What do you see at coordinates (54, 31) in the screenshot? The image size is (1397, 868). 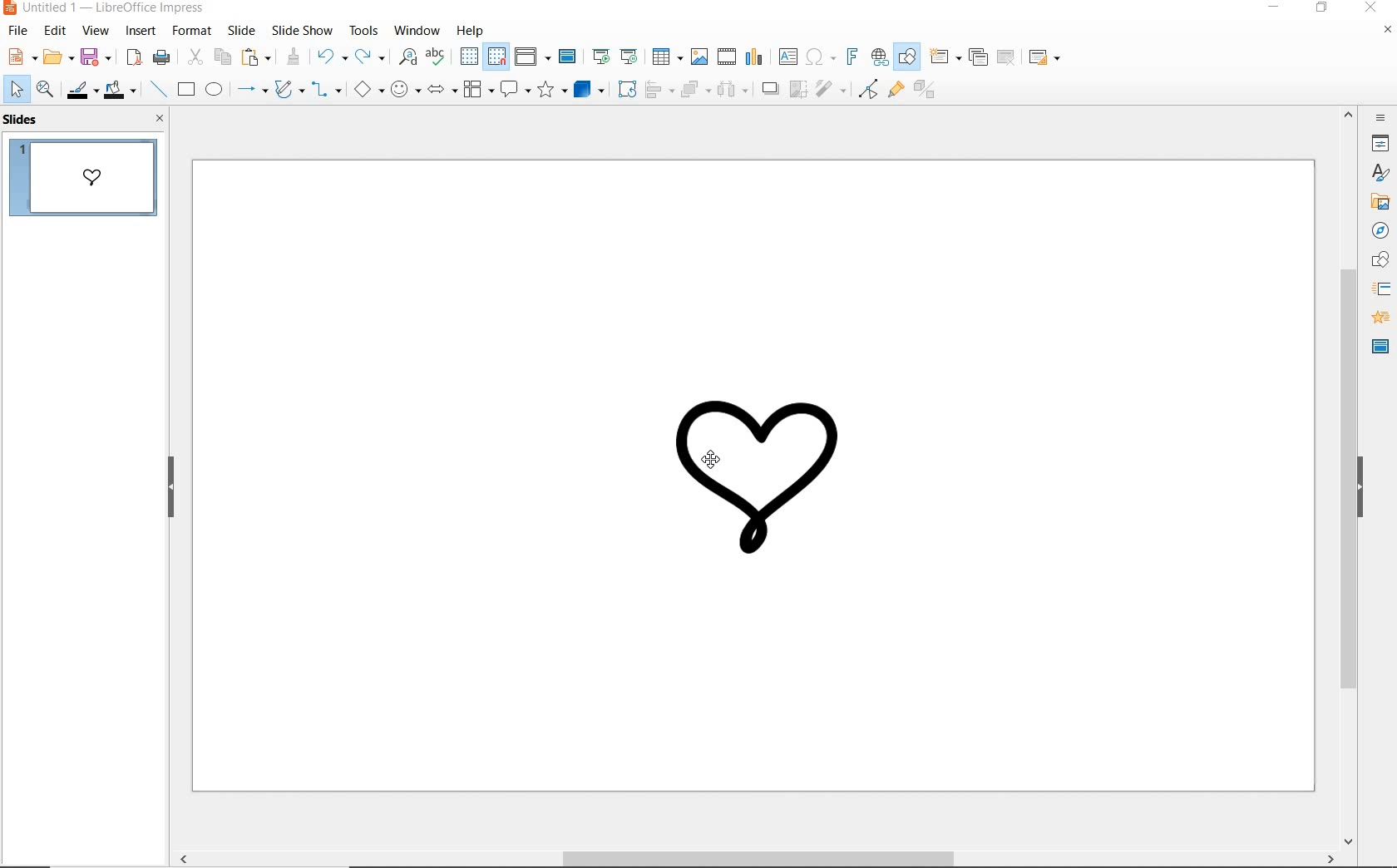 I see `edit` at bounding box center [54, 31].